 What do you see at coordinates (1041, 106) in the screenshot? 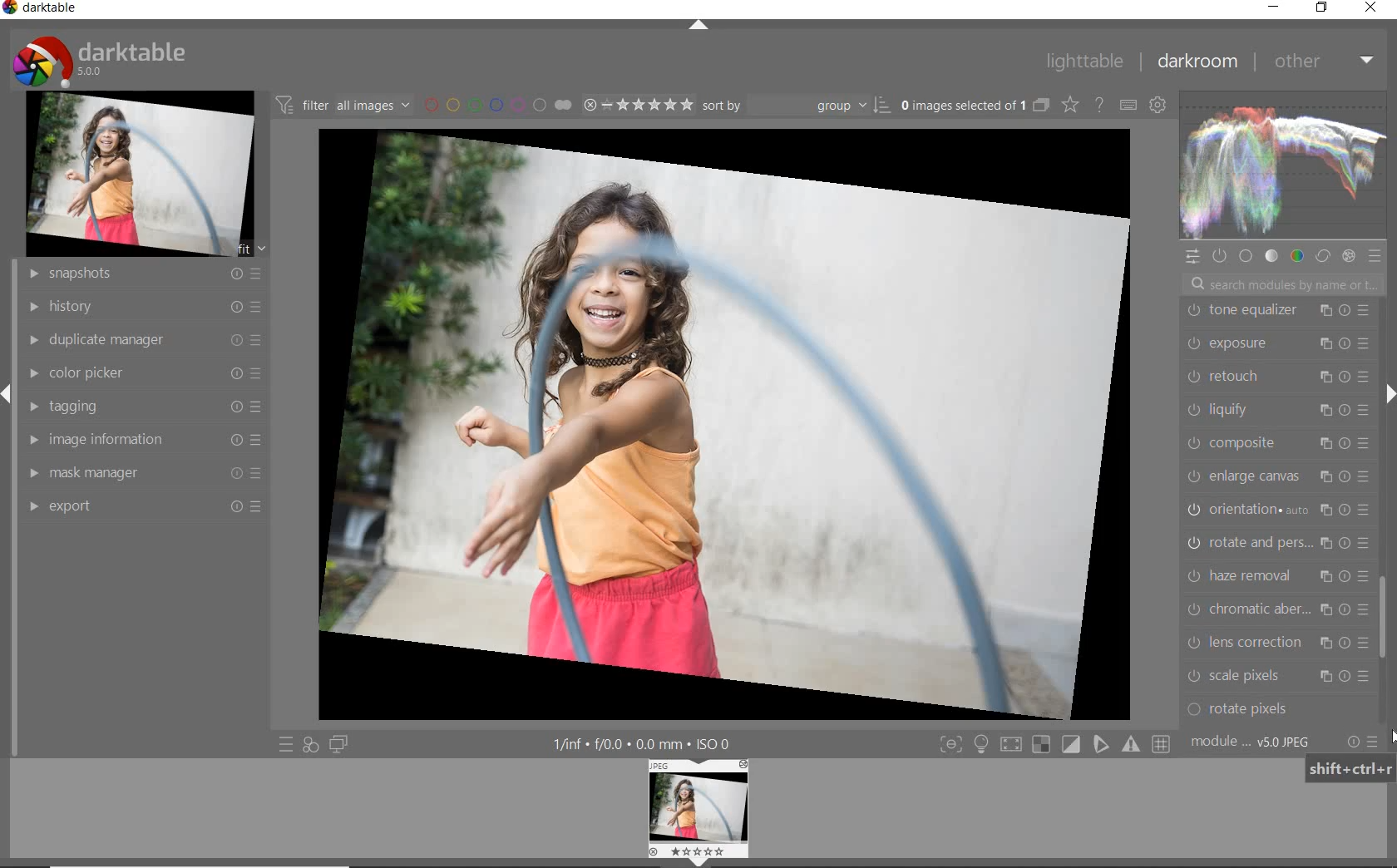
I see `collapse grouped images` at bounding box center [1041, 106].